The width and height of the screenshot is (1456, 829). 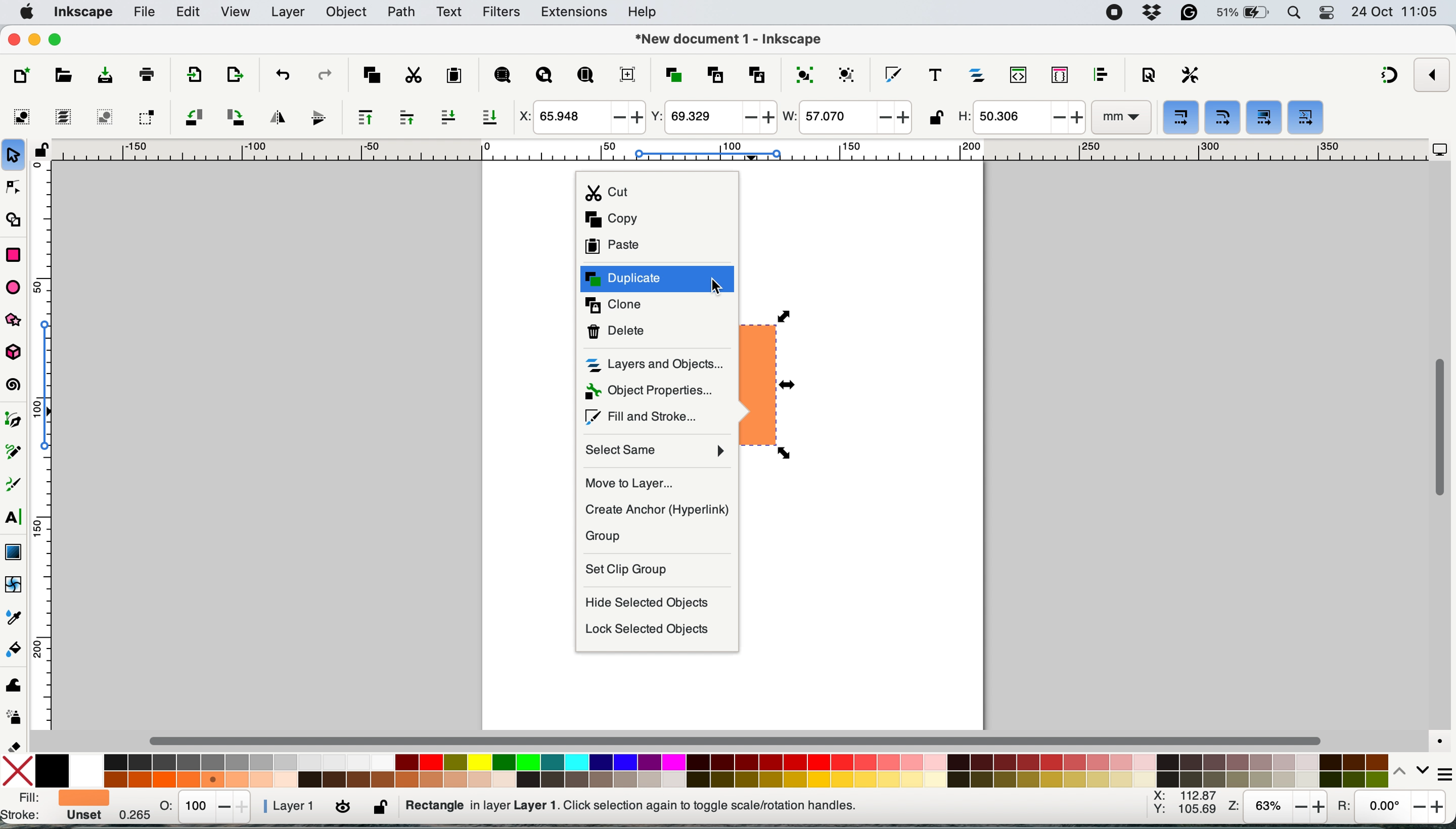 I want to click on no objects selected, so click(x=704, y=806).